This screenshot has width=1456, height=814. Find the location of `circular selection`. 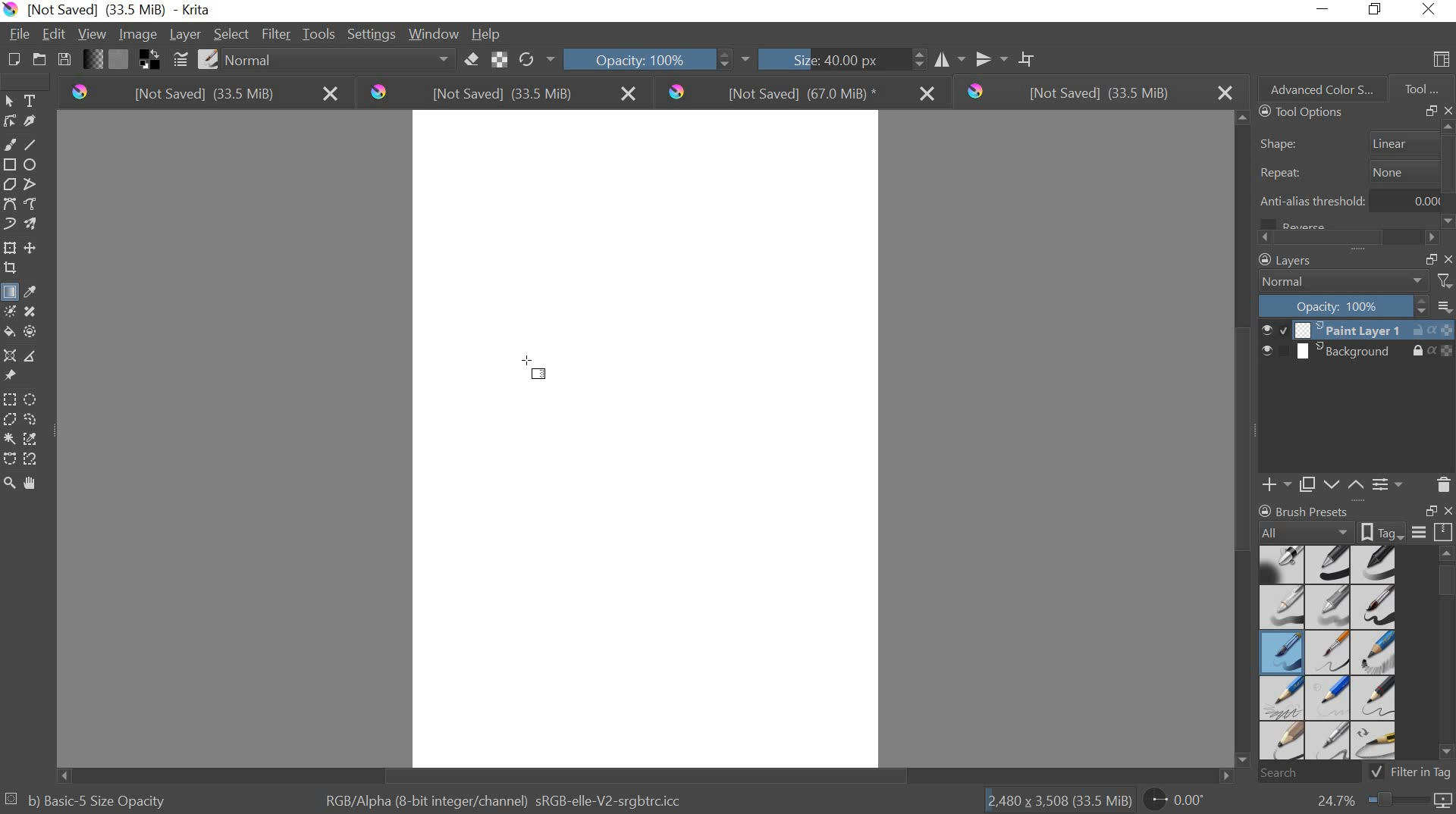

circular selection is located at coordinates (34, 398).